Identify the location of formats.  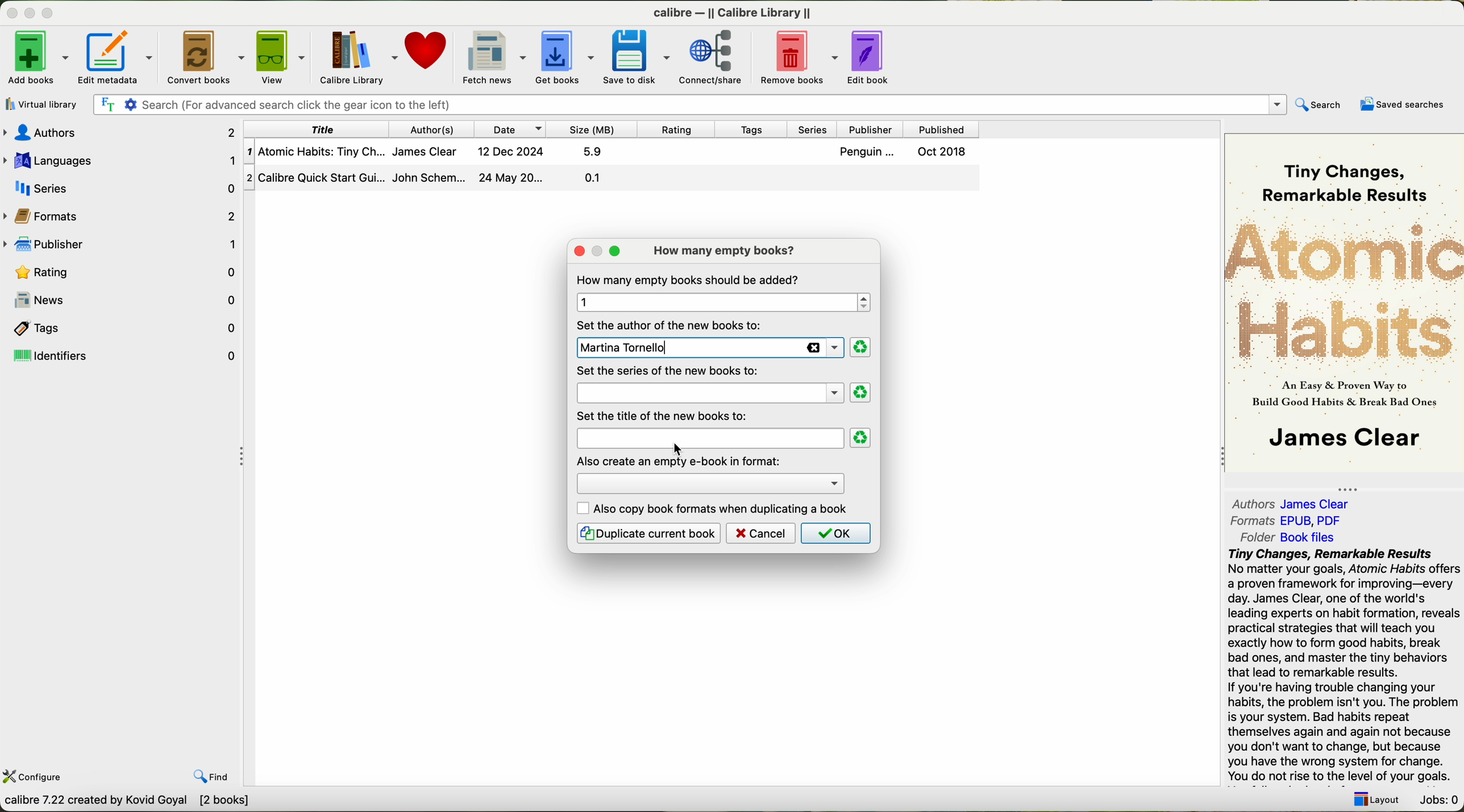
(1287, 520).